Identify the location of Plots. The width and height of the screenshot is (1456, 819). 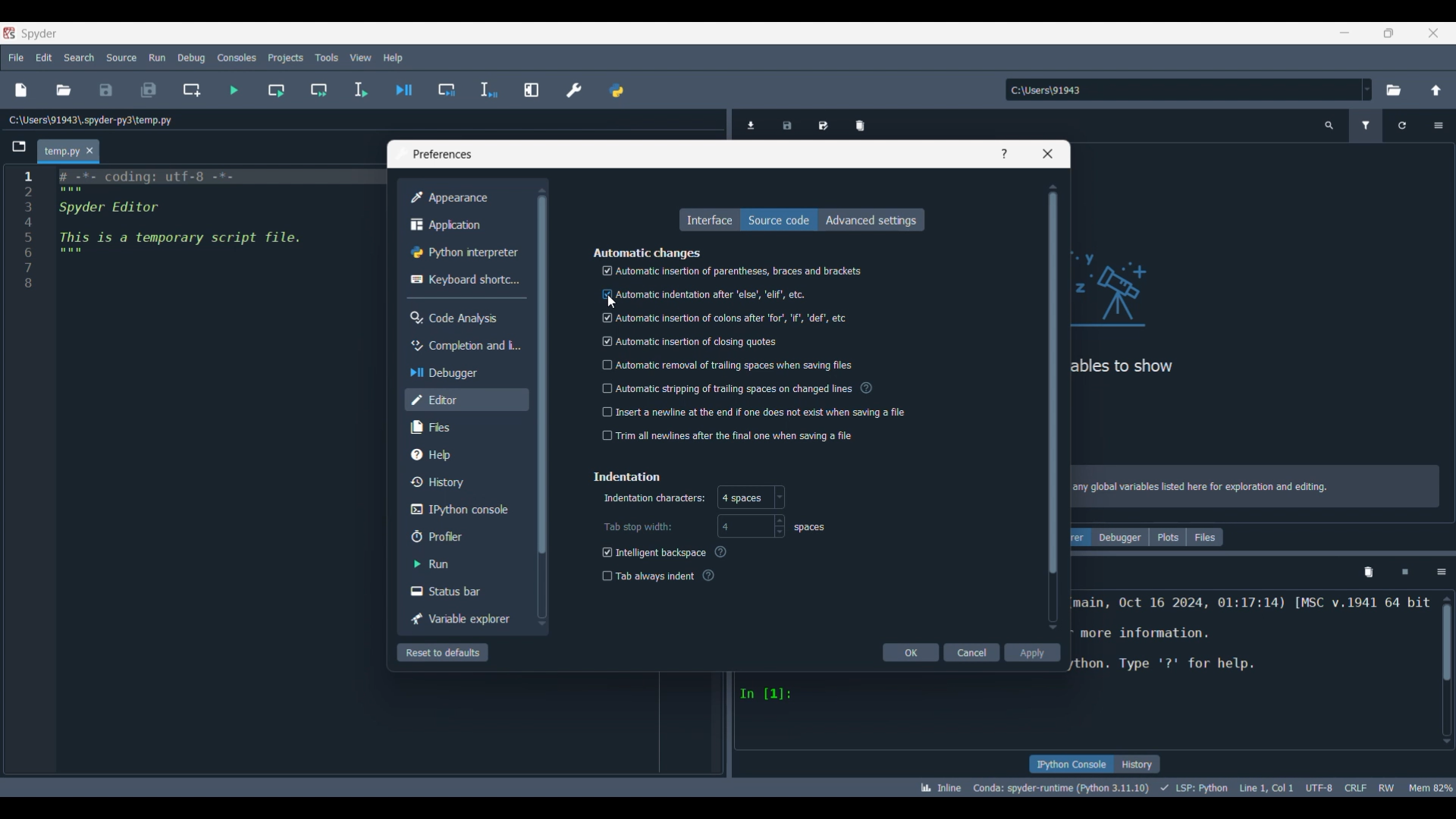
(1168, 537).